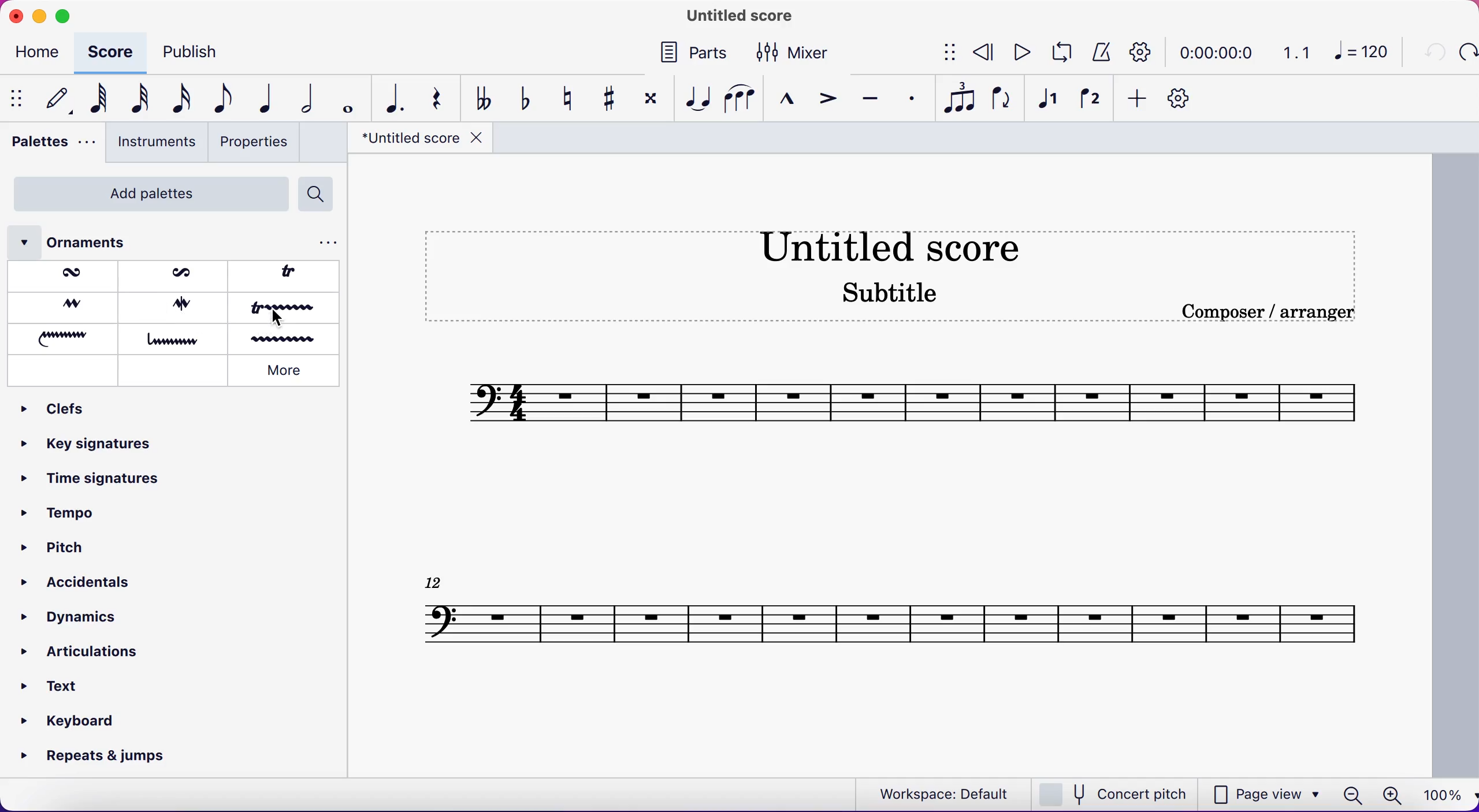  Describe the element at coordinates (39, 14) in the screenshot. I see `minimize` at that location.